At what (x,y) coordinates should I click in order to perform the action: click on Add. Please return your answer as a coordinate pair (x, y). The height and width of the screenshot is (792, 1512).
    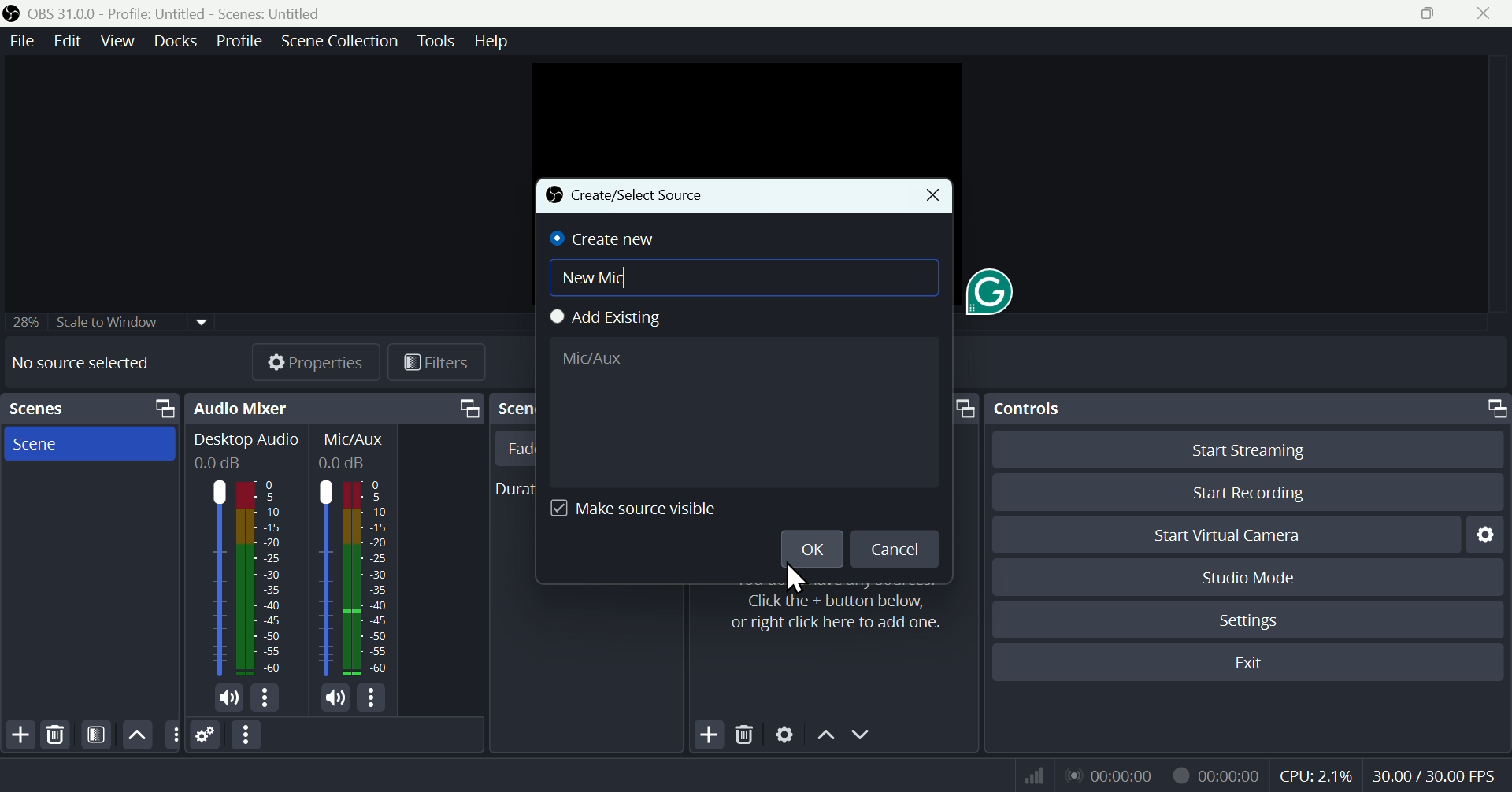
    Looking at the image, I should click on (711, 736).